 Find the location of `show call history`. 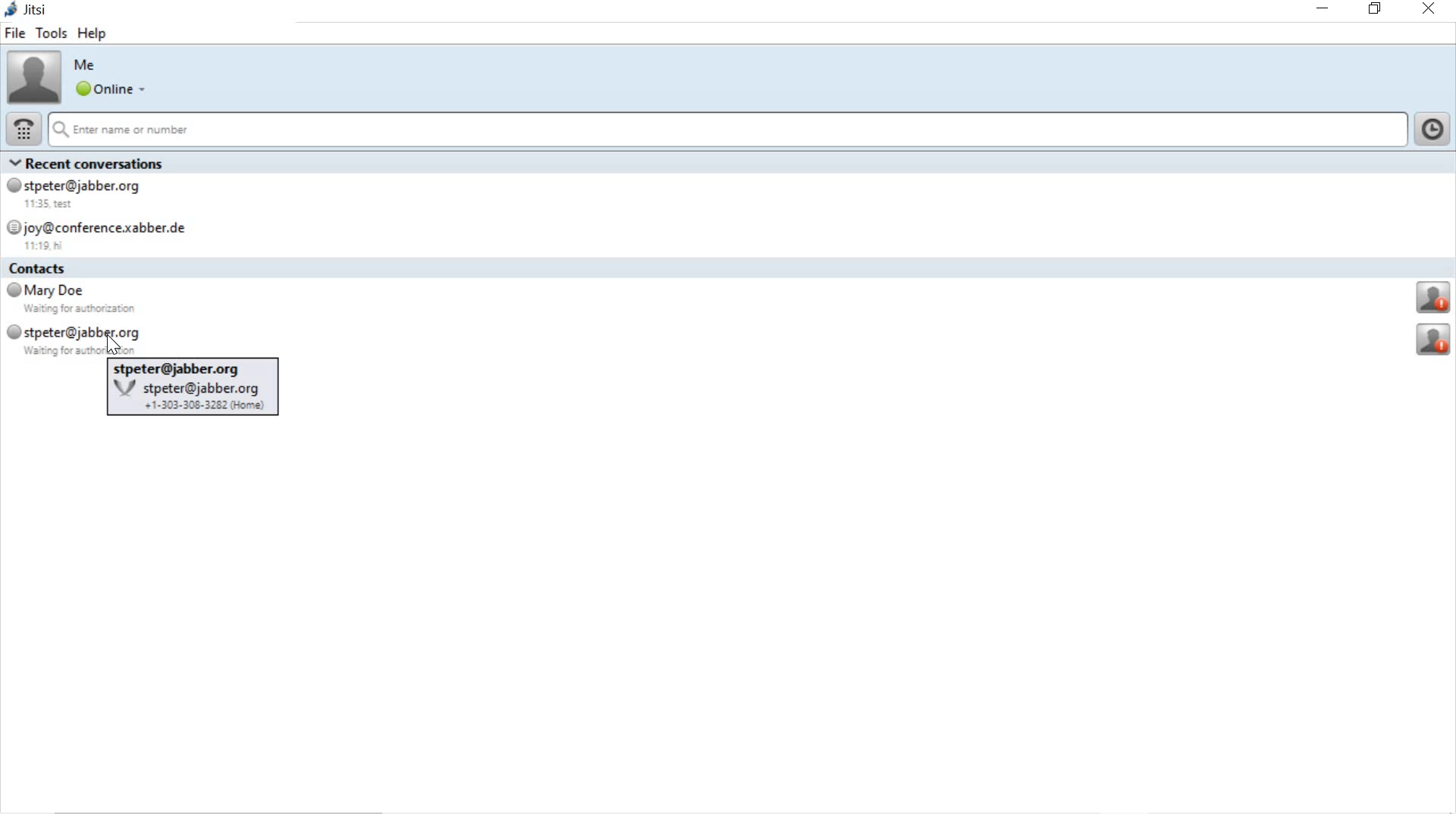

show call history is located at coordinates (1434, 128).